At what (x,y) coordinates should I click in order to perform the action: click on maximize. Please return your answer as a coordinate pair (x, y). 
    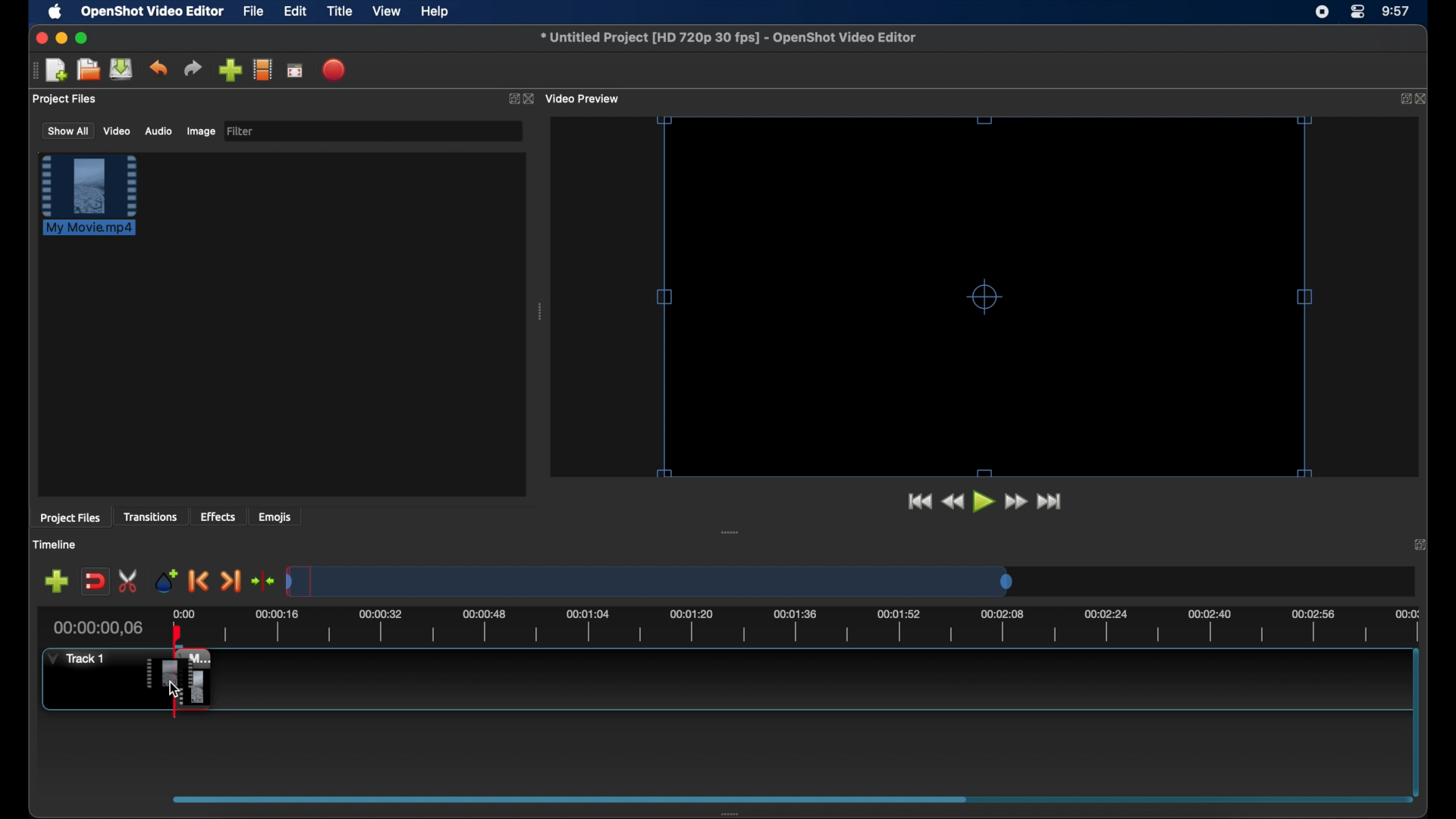
    Looking at the image, I should click on (82, 38).